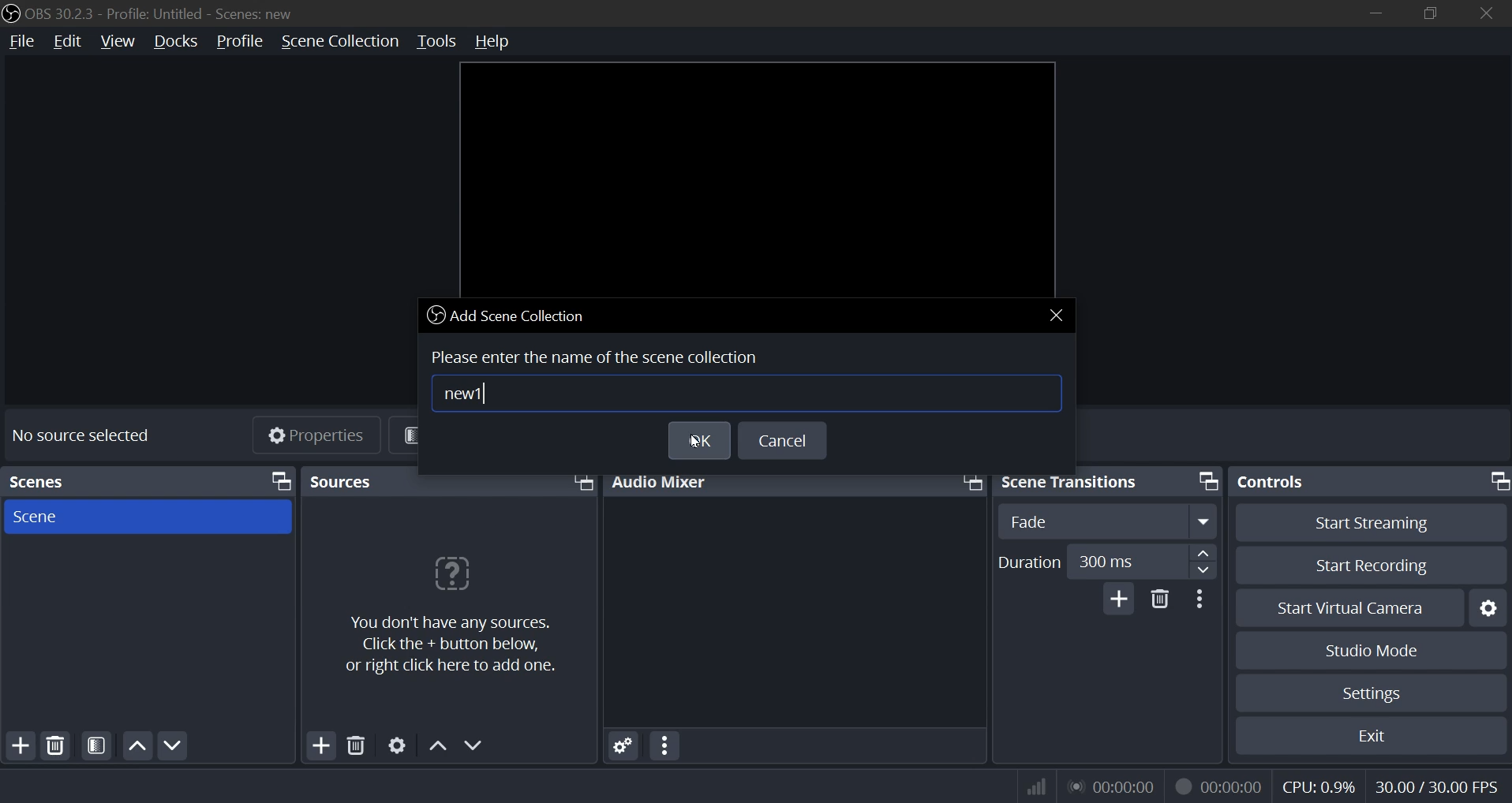 This screenshot has width=1512, height=803. What do you see at coordinates (473, 393) in the screenshot?
I see `new` at bounding box center [473, 393].